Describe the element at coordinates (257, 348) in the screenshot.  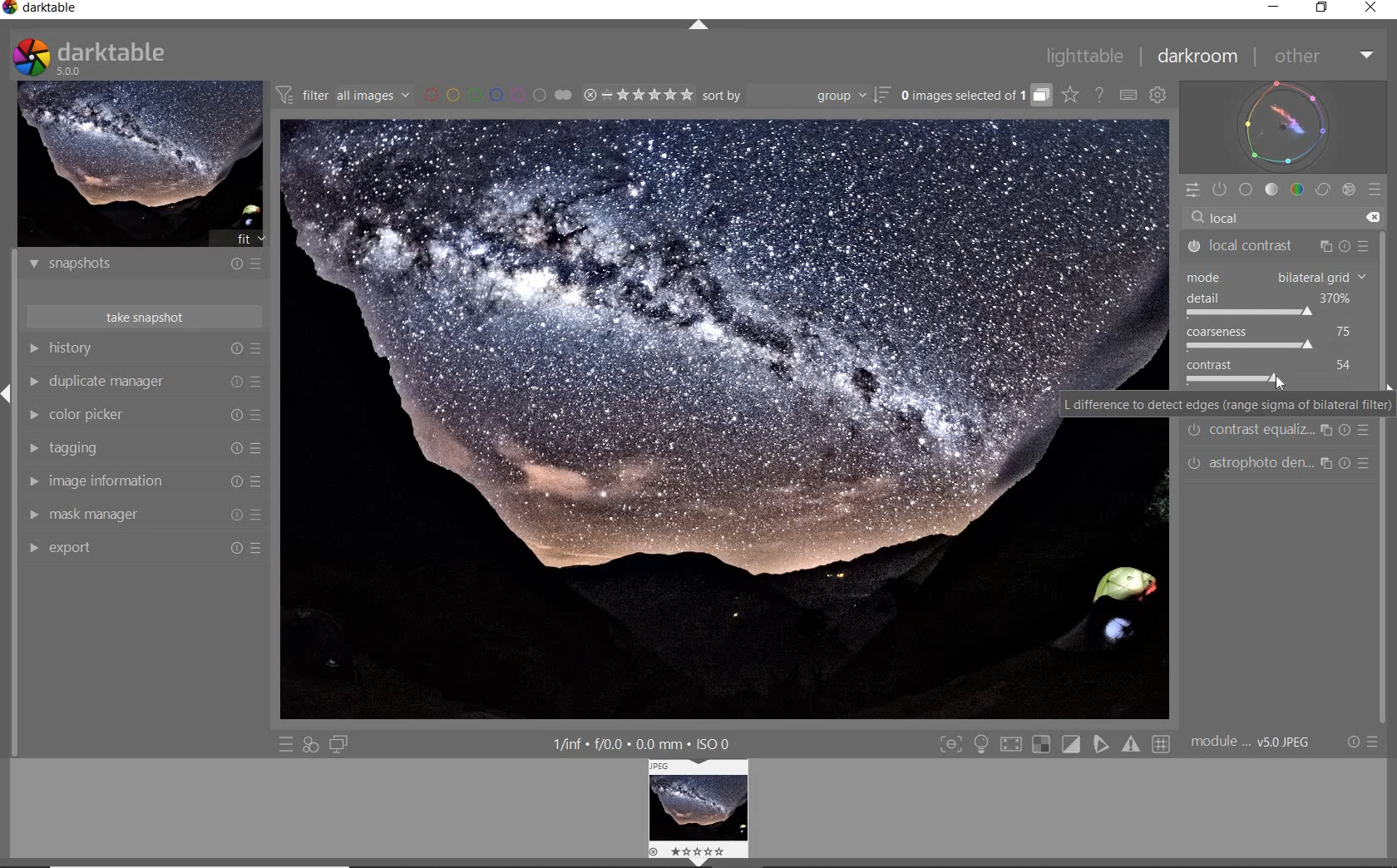
I see `presets and preferences` at that location.